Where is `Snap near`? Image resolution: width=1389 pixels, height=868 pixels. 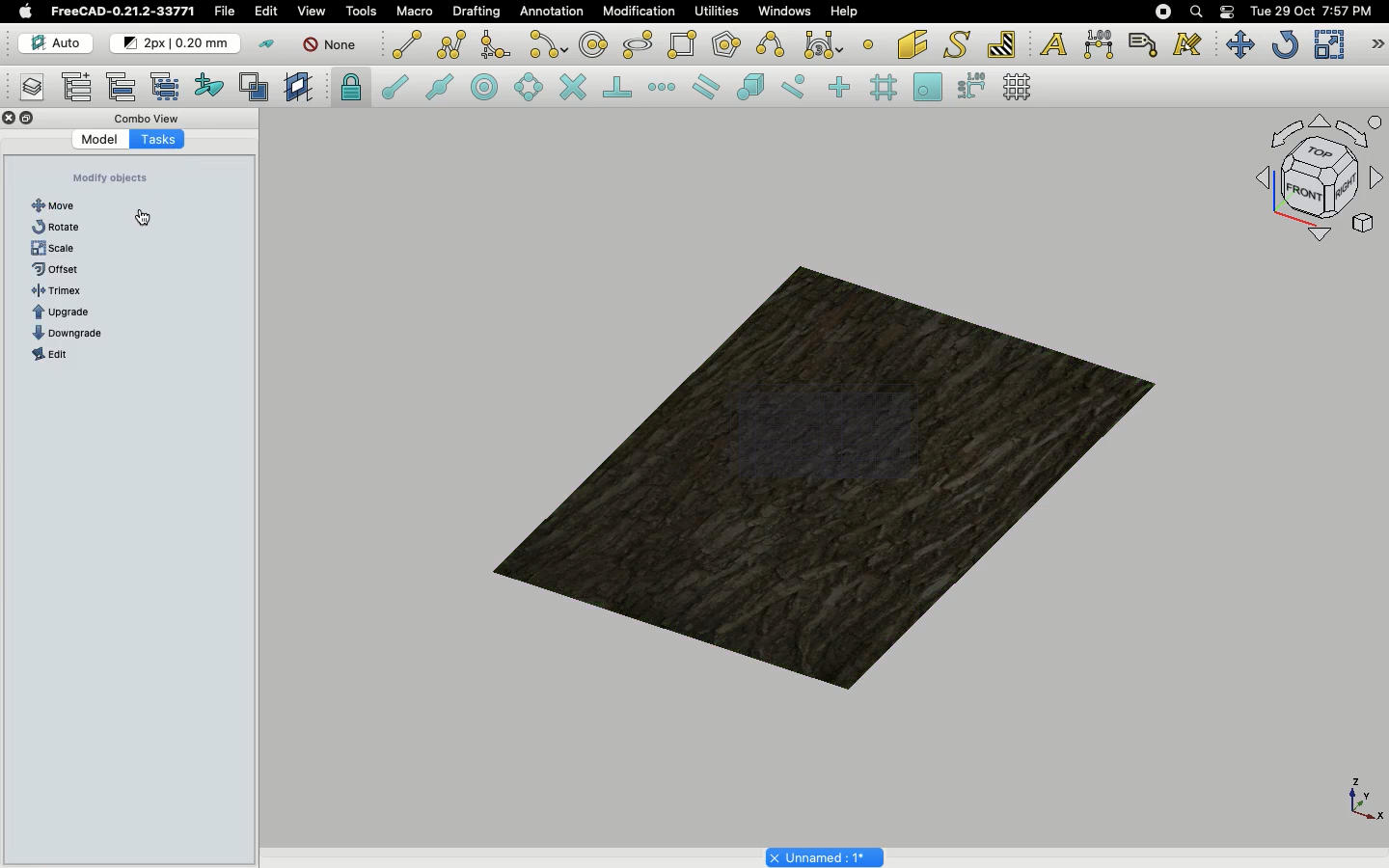
Snap near is located at coordinates (799, 87).